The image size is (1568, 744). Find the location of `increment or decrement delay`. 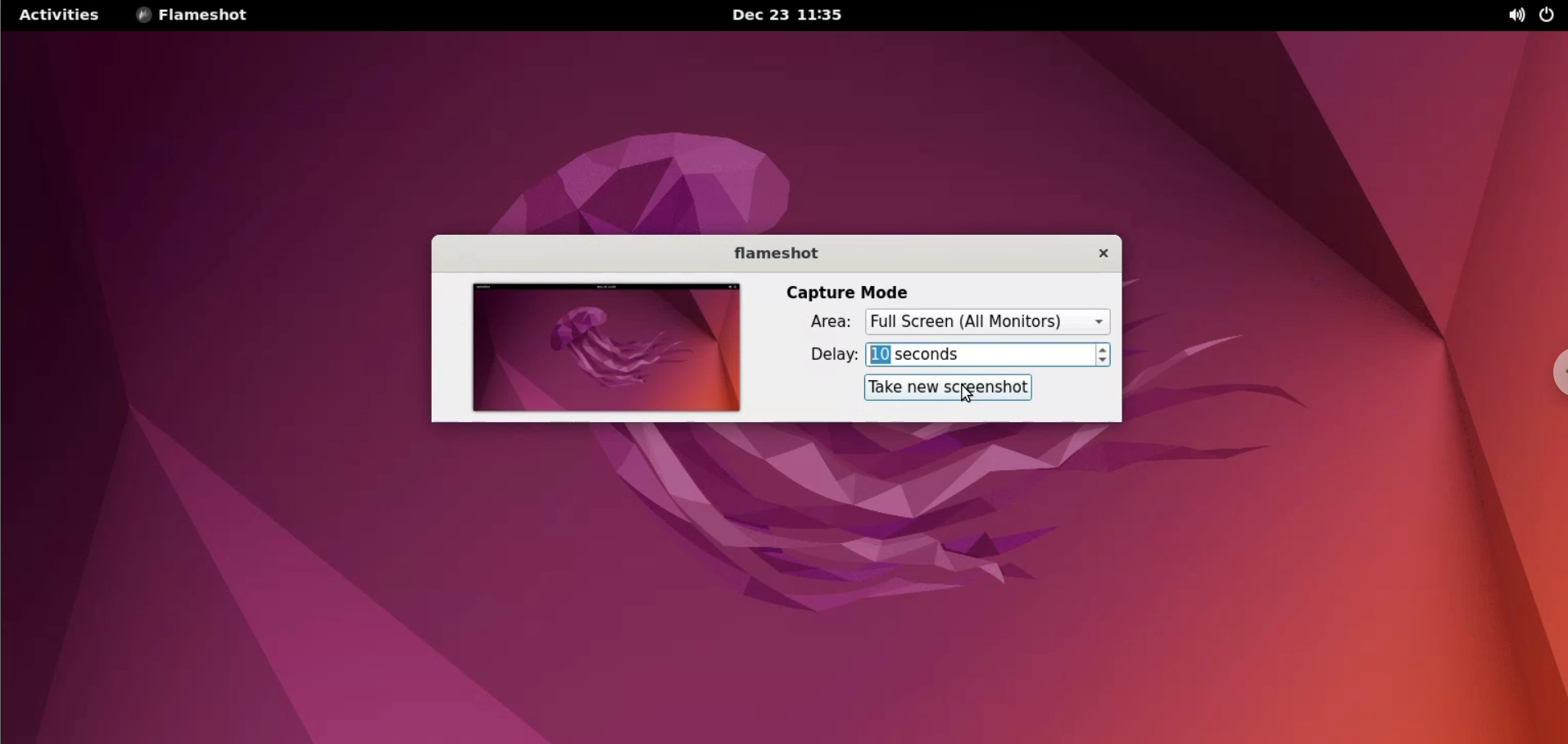

increment or decrement delay is located at coordinates (1106, 355).